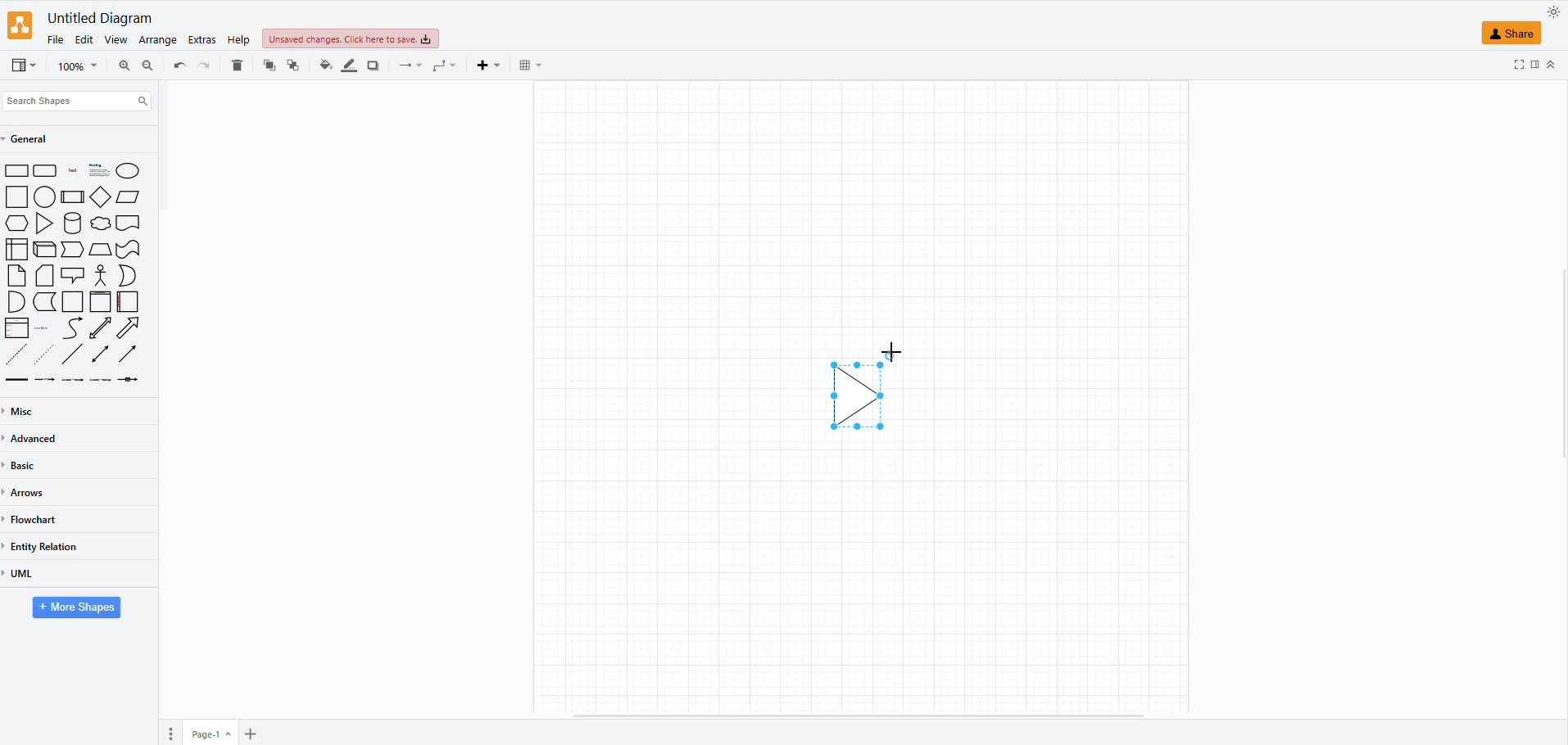 This screenshot has width=1568, height=745. Describe the element at coordinates (115, 38) in the screenshot. I see `view` at that location.